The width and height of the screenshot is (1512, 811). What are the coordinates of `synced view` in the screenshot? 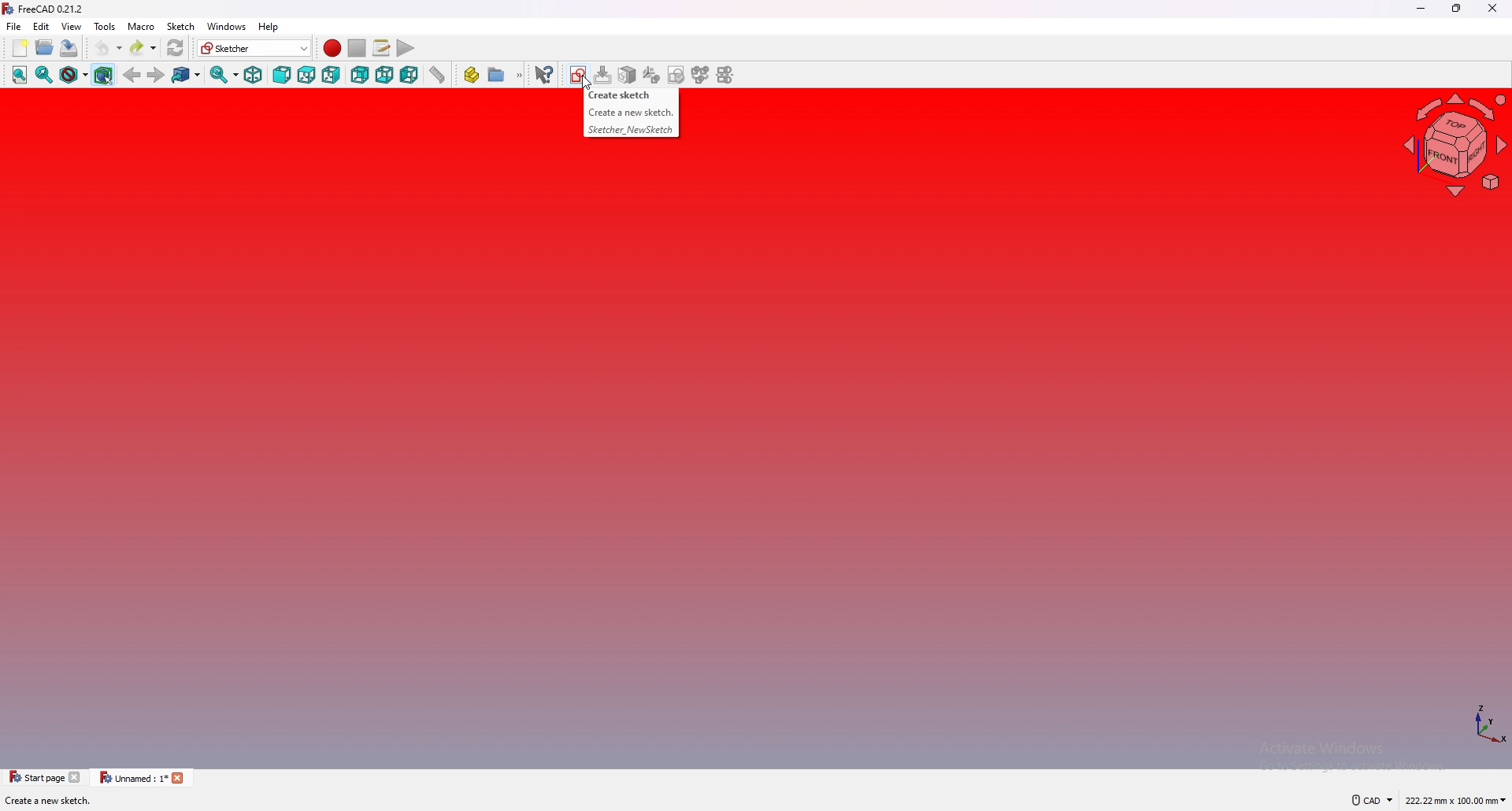 It's located at (225, 75).